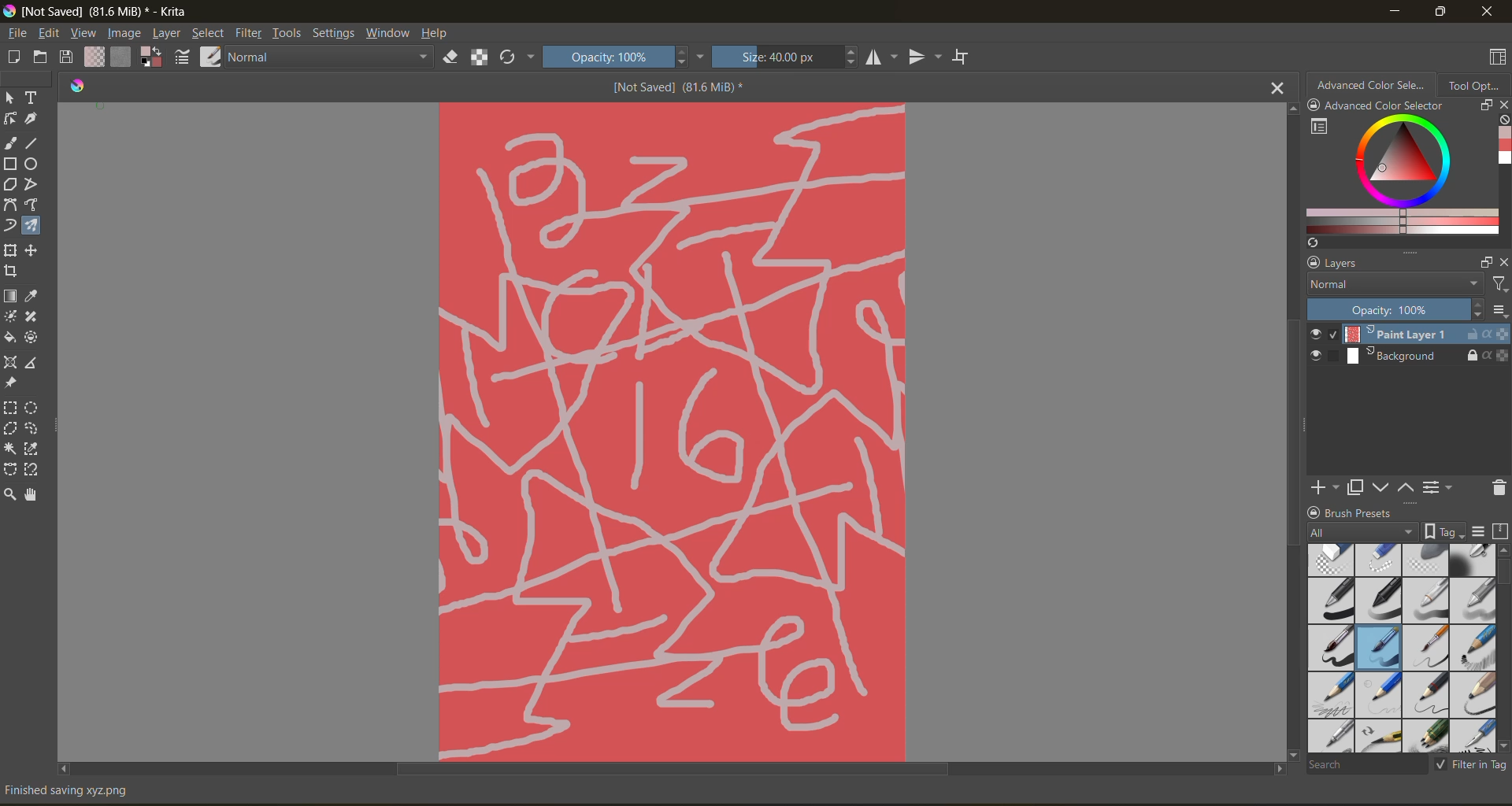  Describe the element at coordinates (119, 57) in the screenshot. I see `fill patterns` at that location.